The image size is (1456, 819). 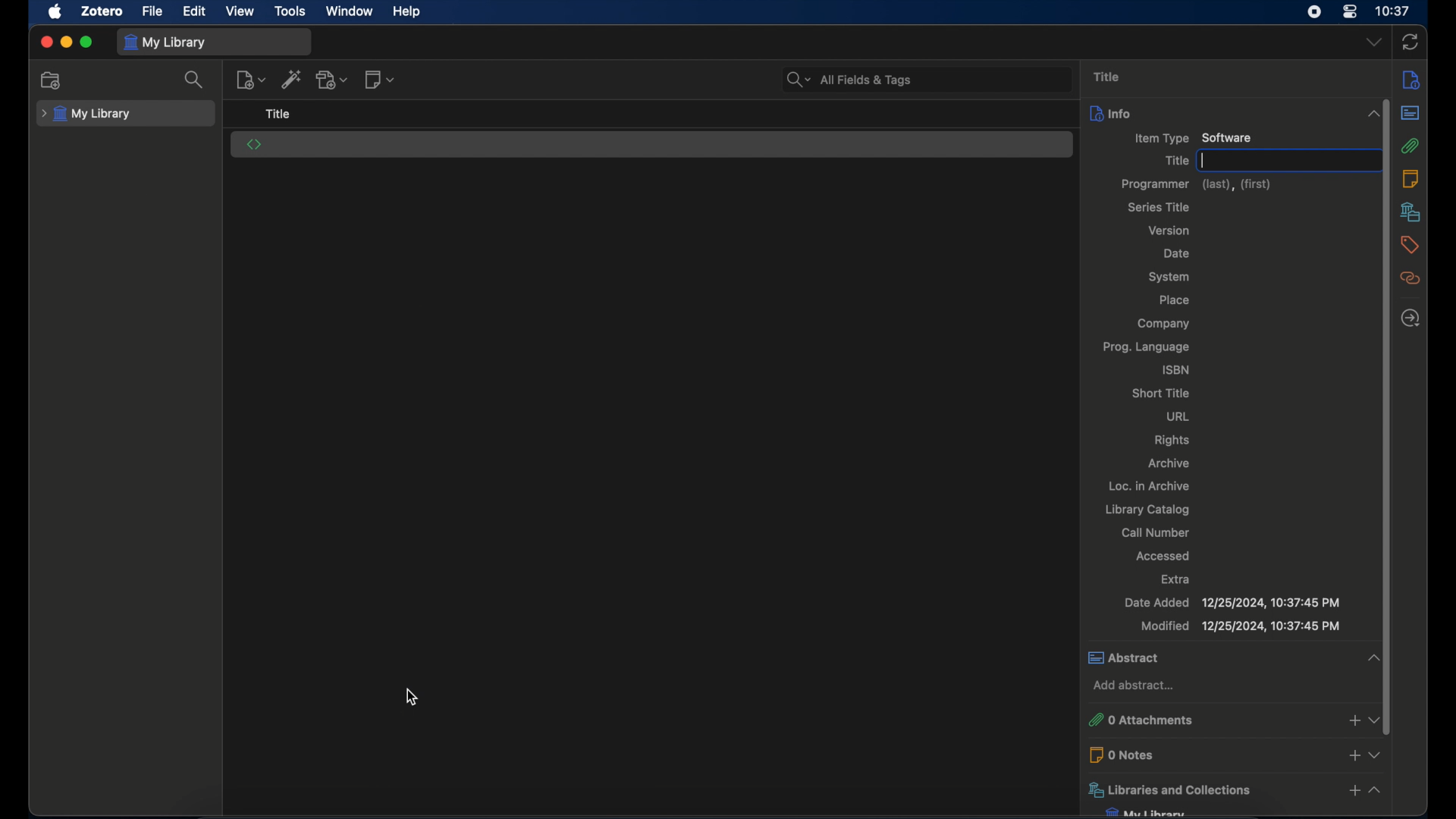 What do you see at coordinates (1410, 42) in the screenshot?
I see `sync` at bounding box center [1410, 42].